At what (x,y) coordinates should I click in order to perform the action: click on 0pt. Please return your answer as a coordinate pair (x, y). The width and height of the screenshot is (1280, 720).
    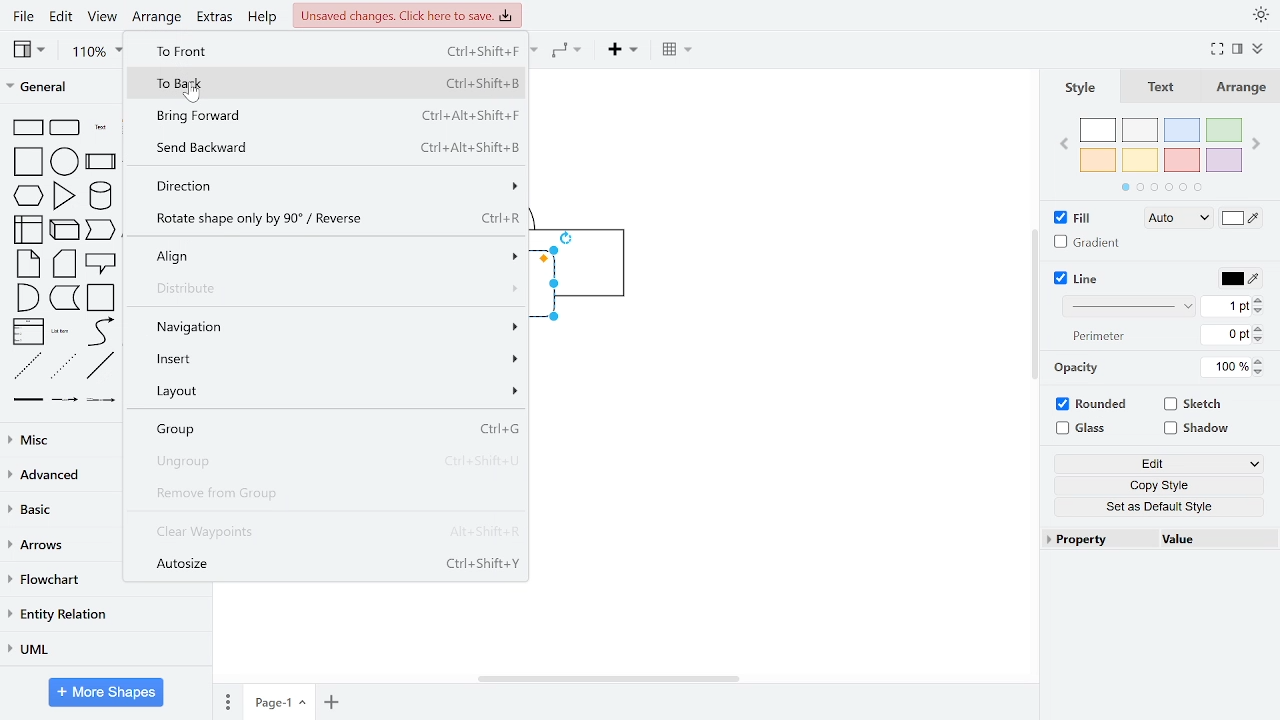
    Looking at the image, I should click on (1226, 335).